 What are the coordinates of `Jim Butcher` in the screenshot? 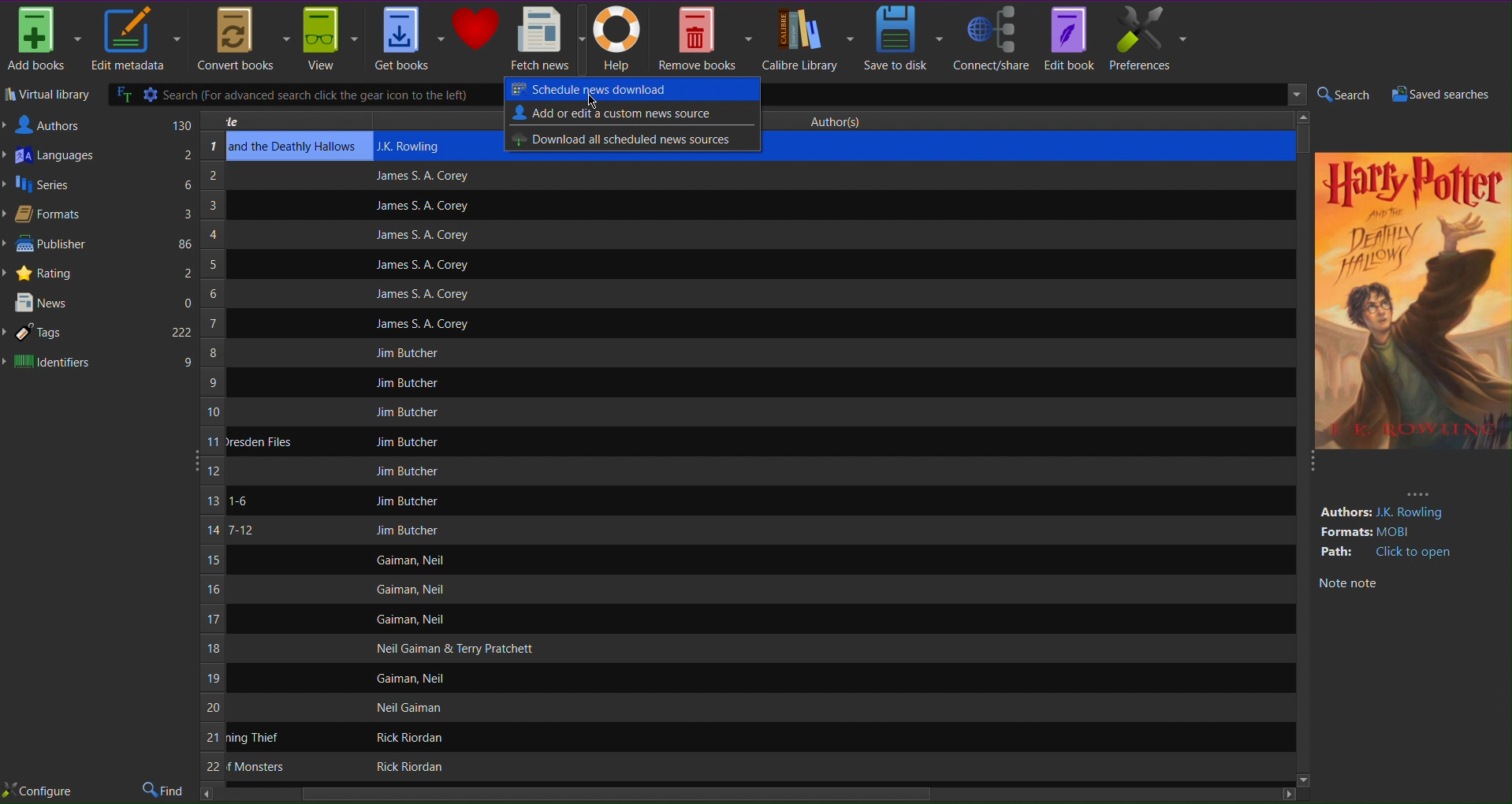 It's located at (408, 501).